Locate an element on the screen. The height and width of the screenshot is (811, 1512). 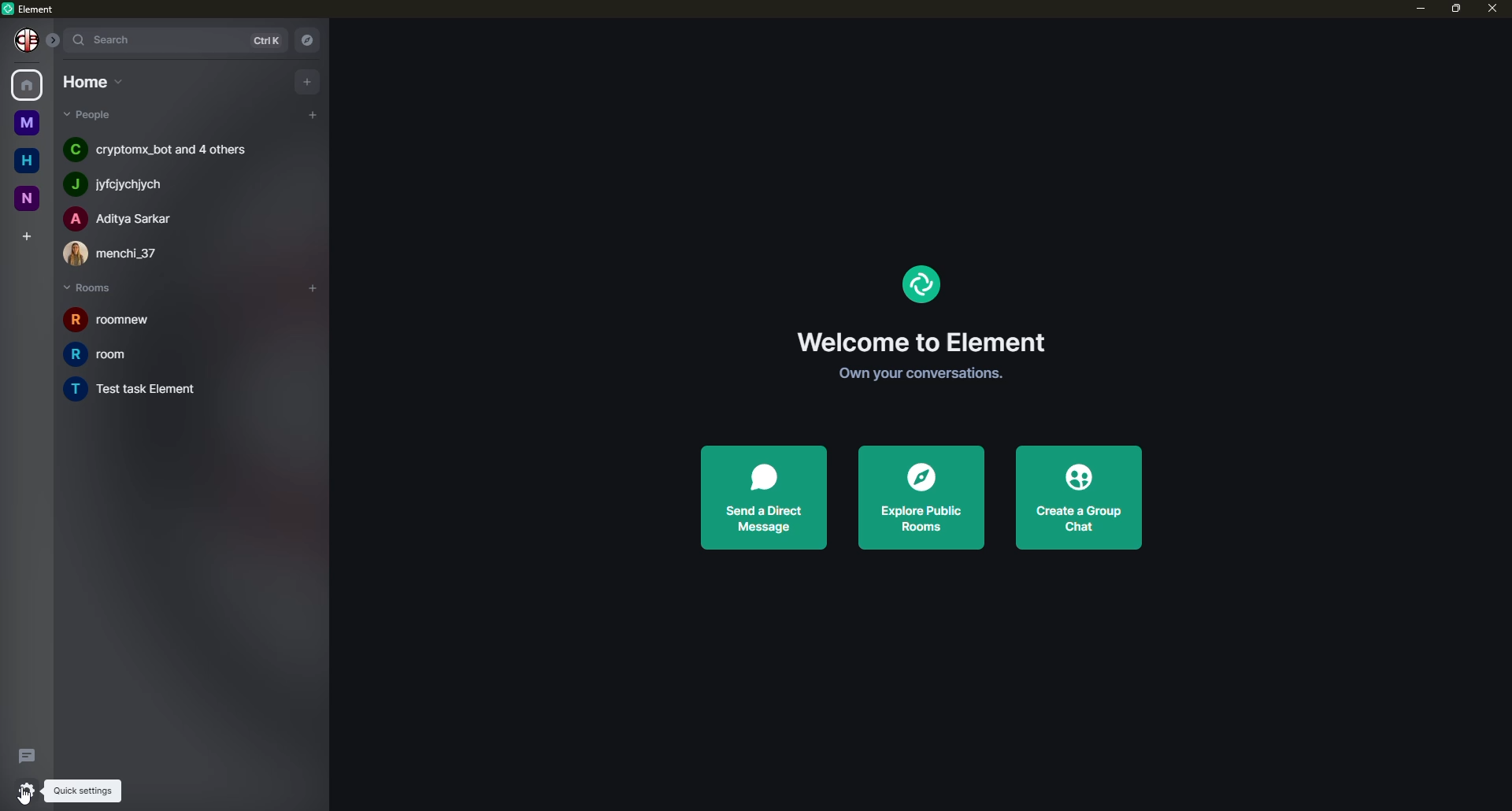
element is located at coordinates (34, 9).